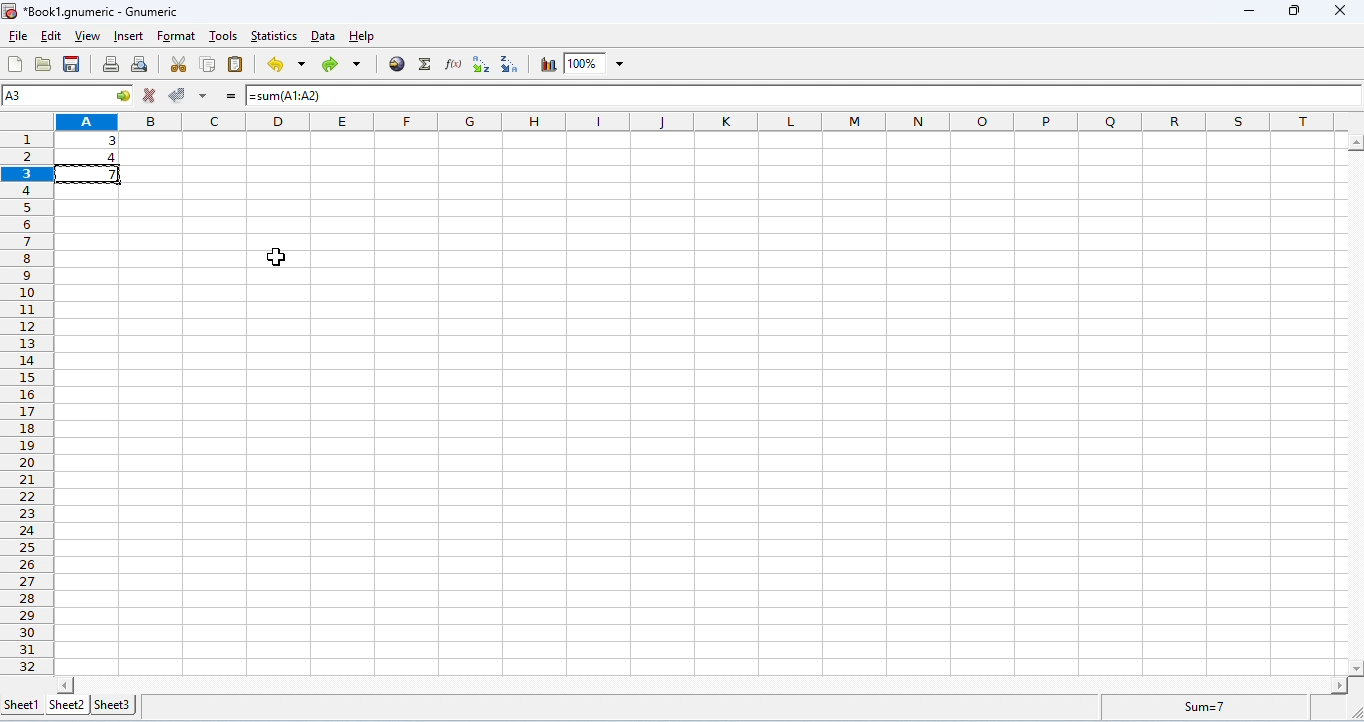 This screenshot has height=722, width=1364. What do you see at coordinates (176, 65) in the screenshot?
I see `cut` at bounding box center [176, 65].